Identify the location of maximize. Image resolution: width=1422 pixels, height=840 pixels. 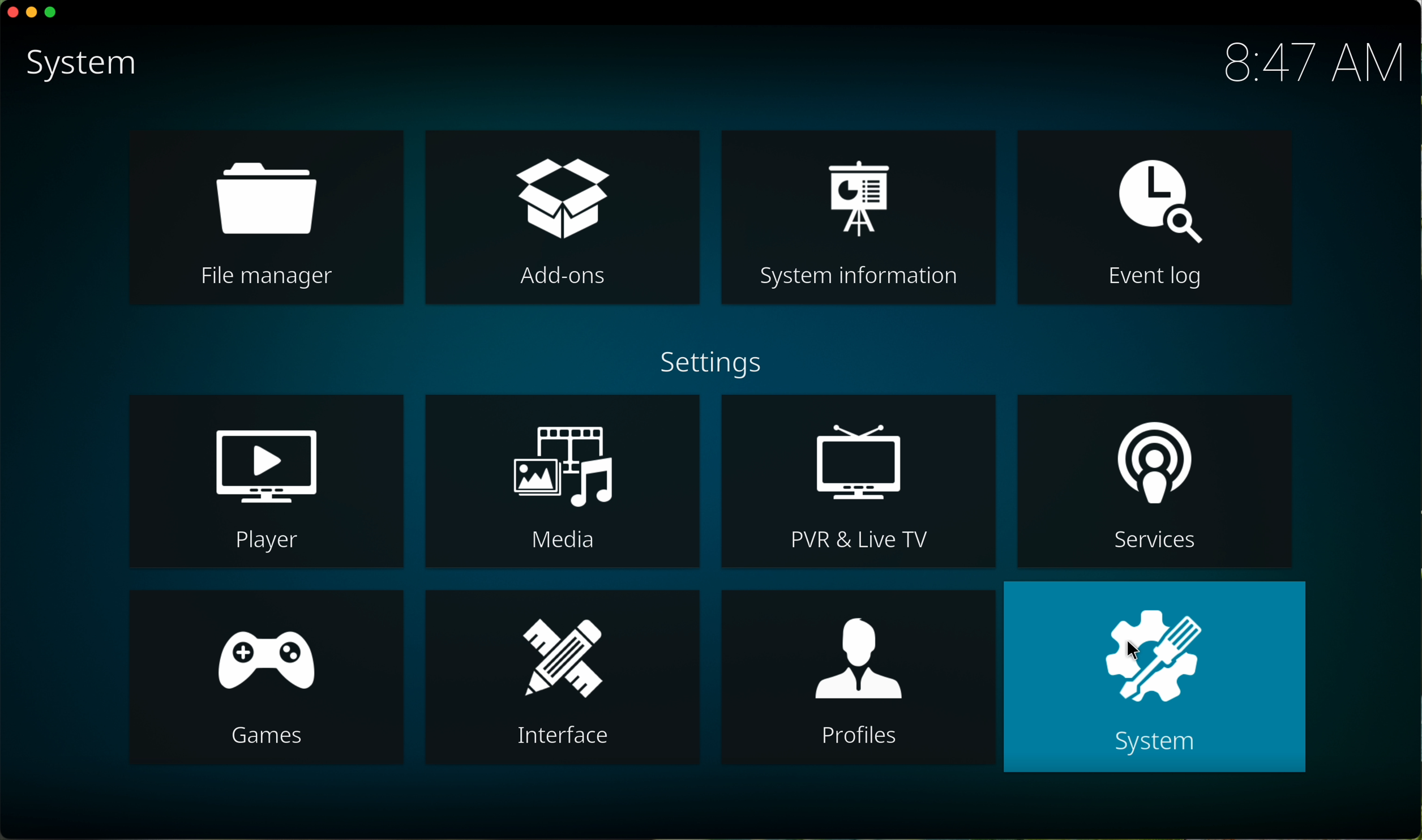
(55, 15).